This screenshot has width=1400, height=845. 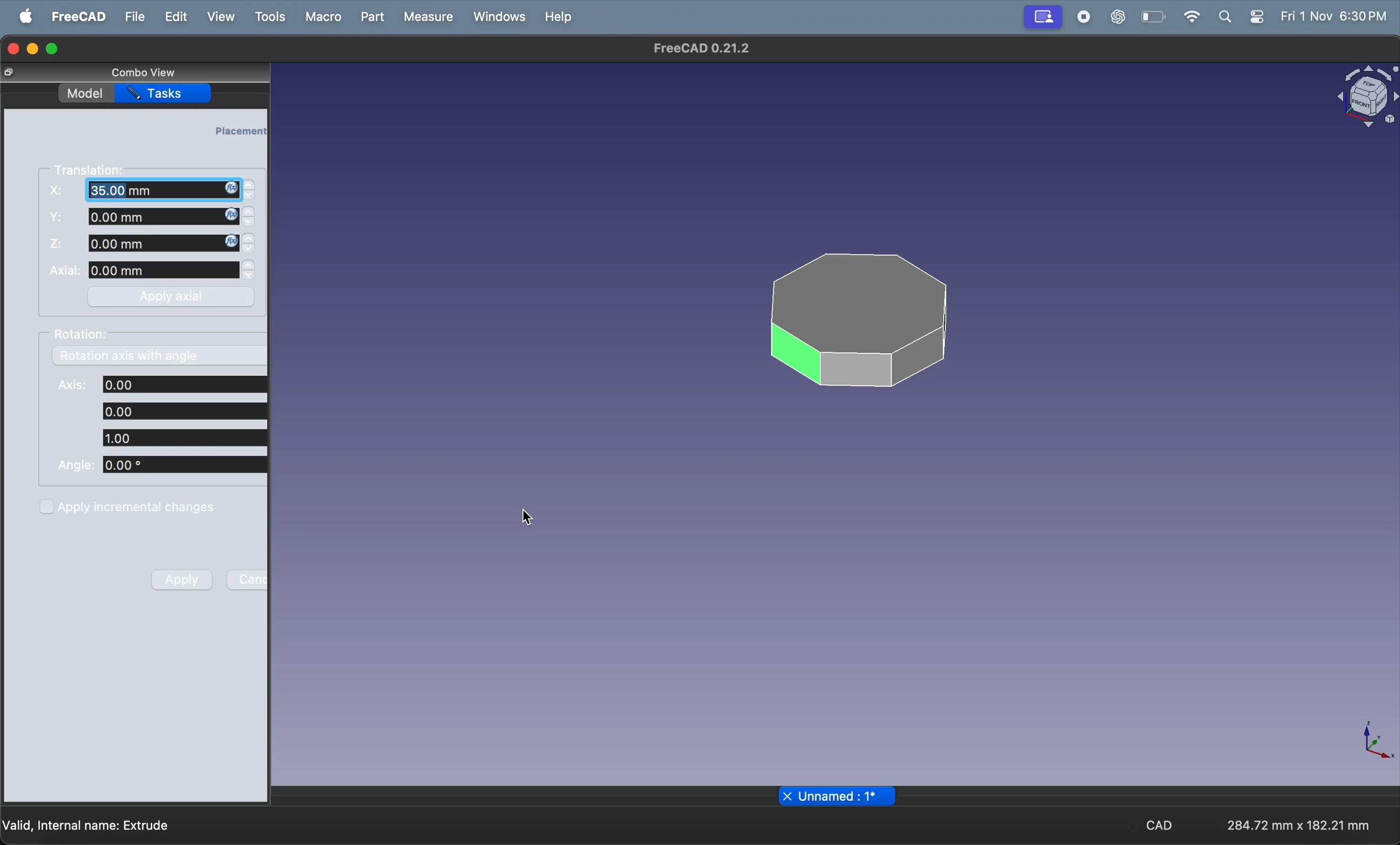 What do you see at coordinates (93, 169) in the screenshot?
I see `translation` at bounding box center [93, 169].